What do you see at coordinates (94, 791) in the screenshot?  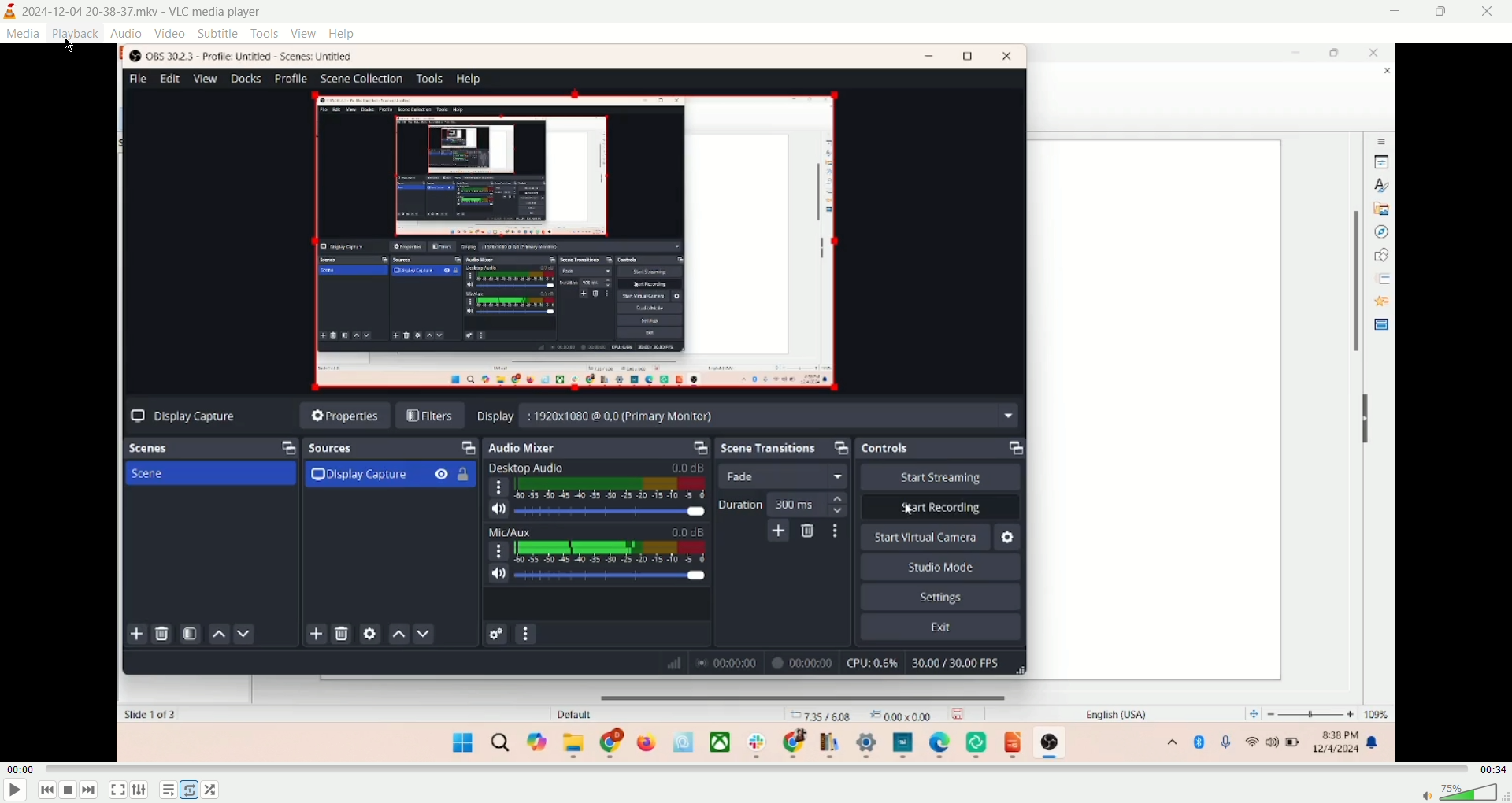 I see `next` at bounding box center [94, 791].